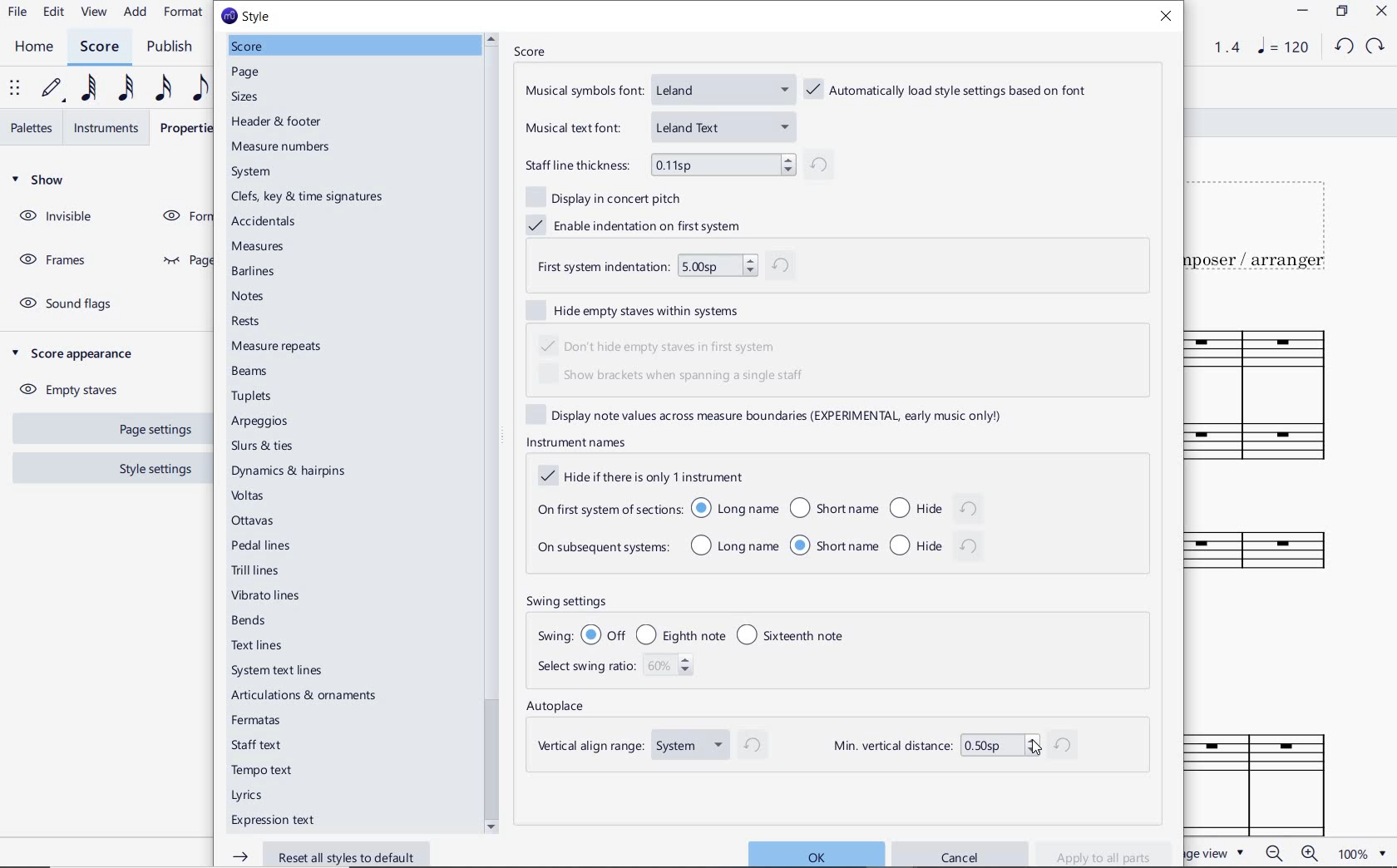 The width and height of the screenshot is (1397, 868). What do you see at coordinates (248, 74) in the screenshot?
I see `page` at bounding box center [248, 74].